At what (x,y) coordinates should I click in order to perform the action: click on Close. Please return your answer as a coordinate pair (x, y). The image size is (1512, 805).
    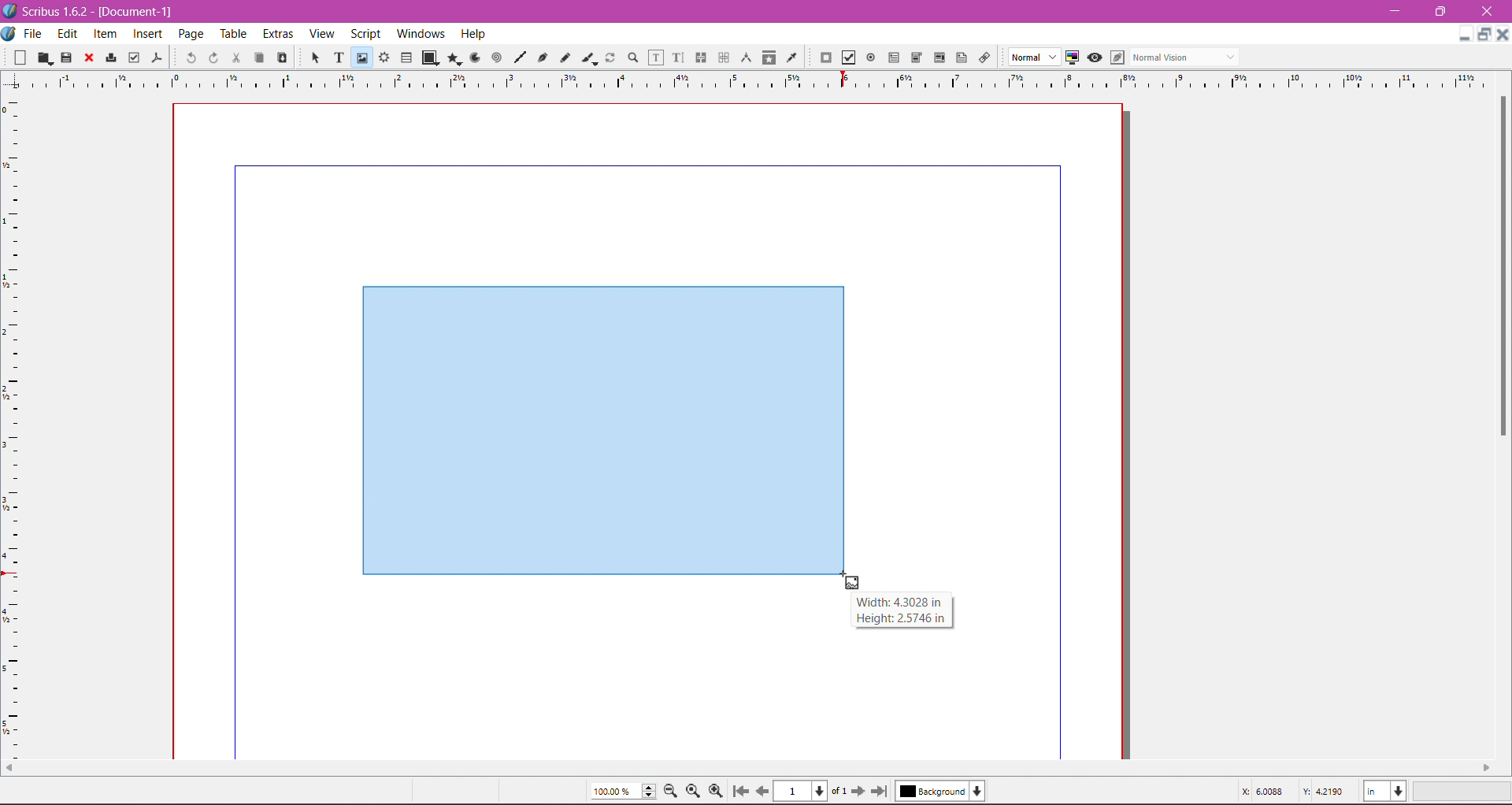
    Looking at the image, I should click on (89, 58).